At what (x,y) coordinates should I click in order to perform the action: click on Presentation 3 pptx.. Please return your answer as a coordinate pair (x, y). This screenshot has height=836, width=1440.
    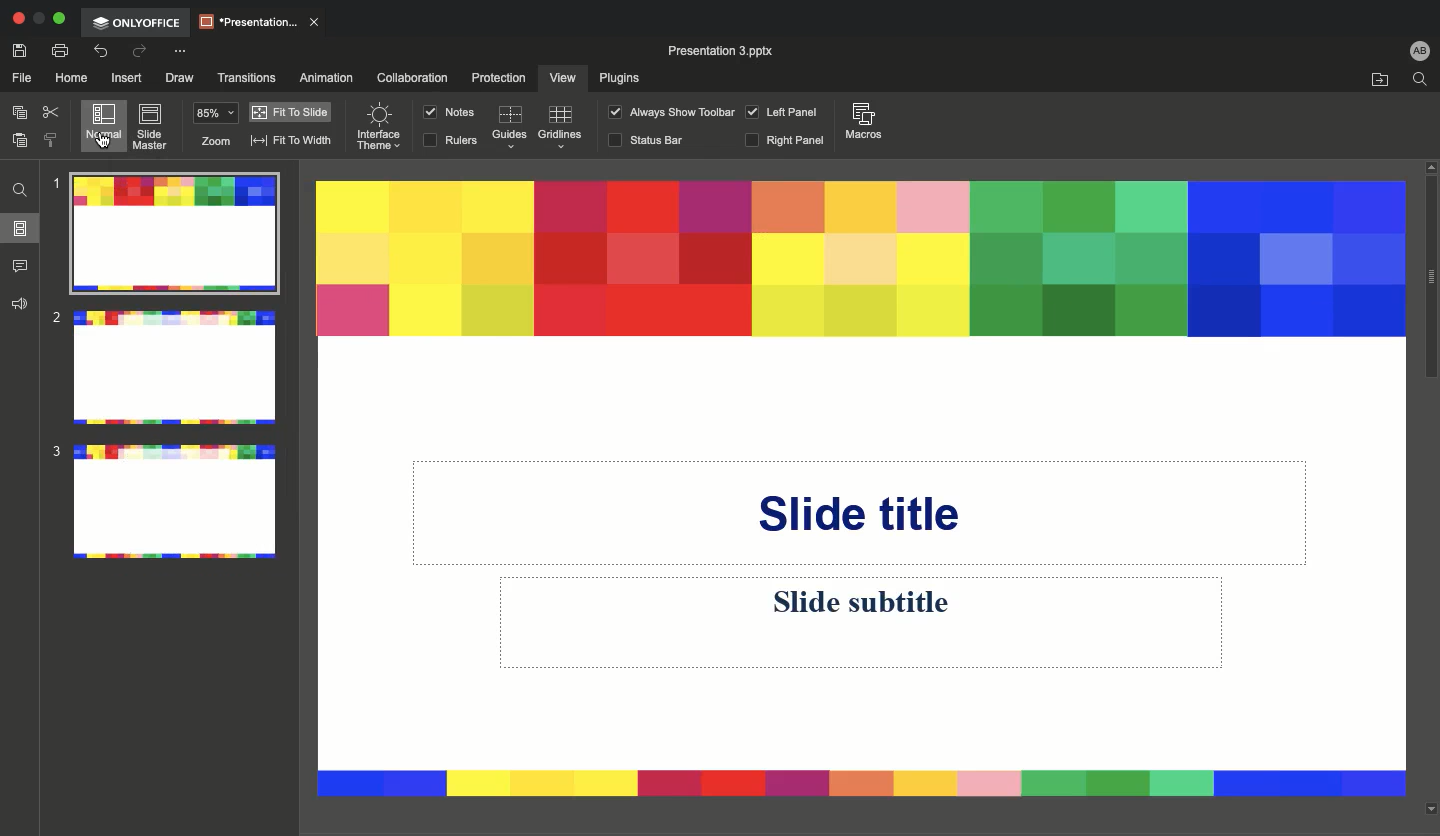
    Looking at the image, I should click on (735, 50).